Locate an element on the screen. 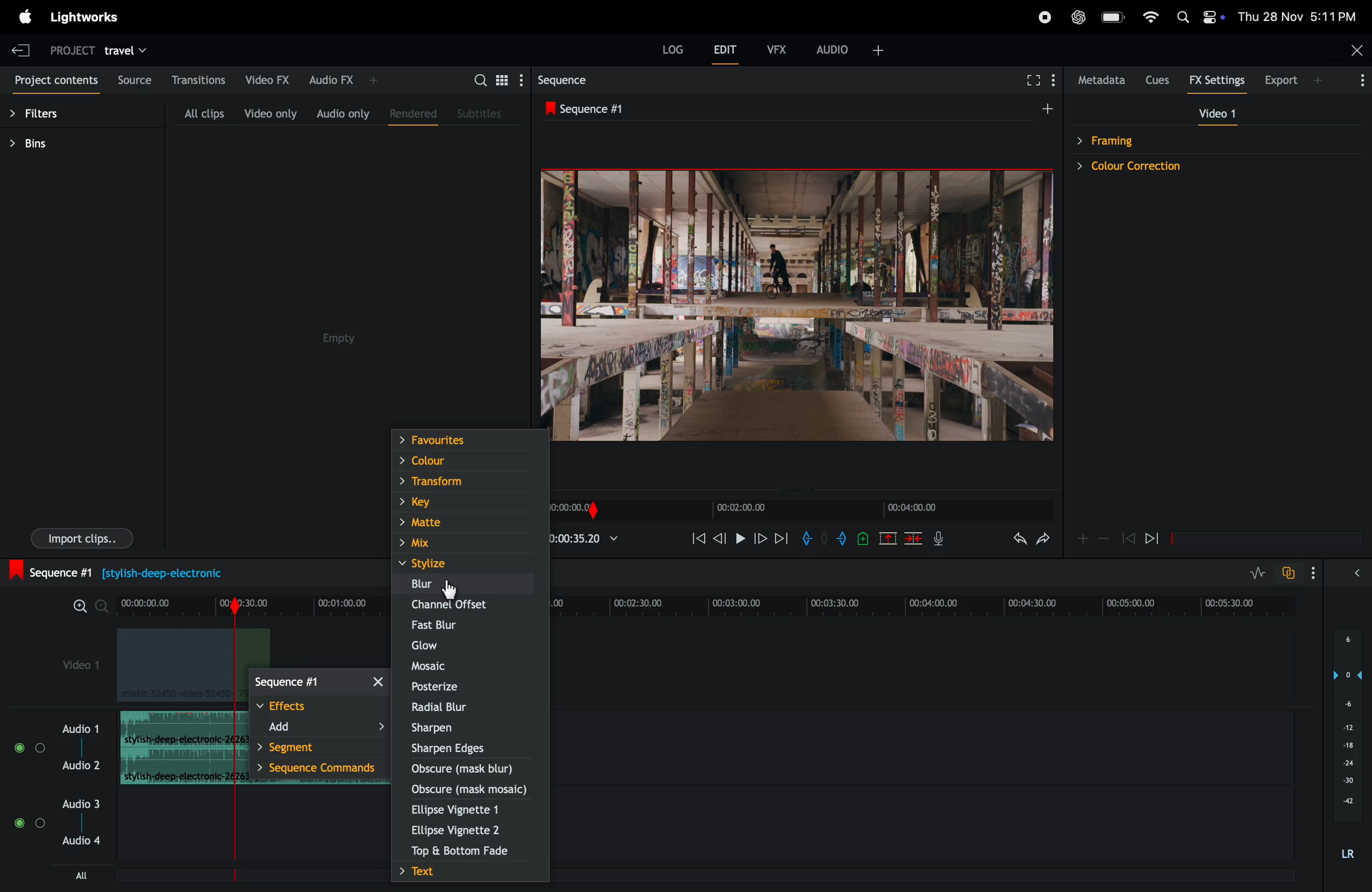  rewind is located at coordinates (696, 541).